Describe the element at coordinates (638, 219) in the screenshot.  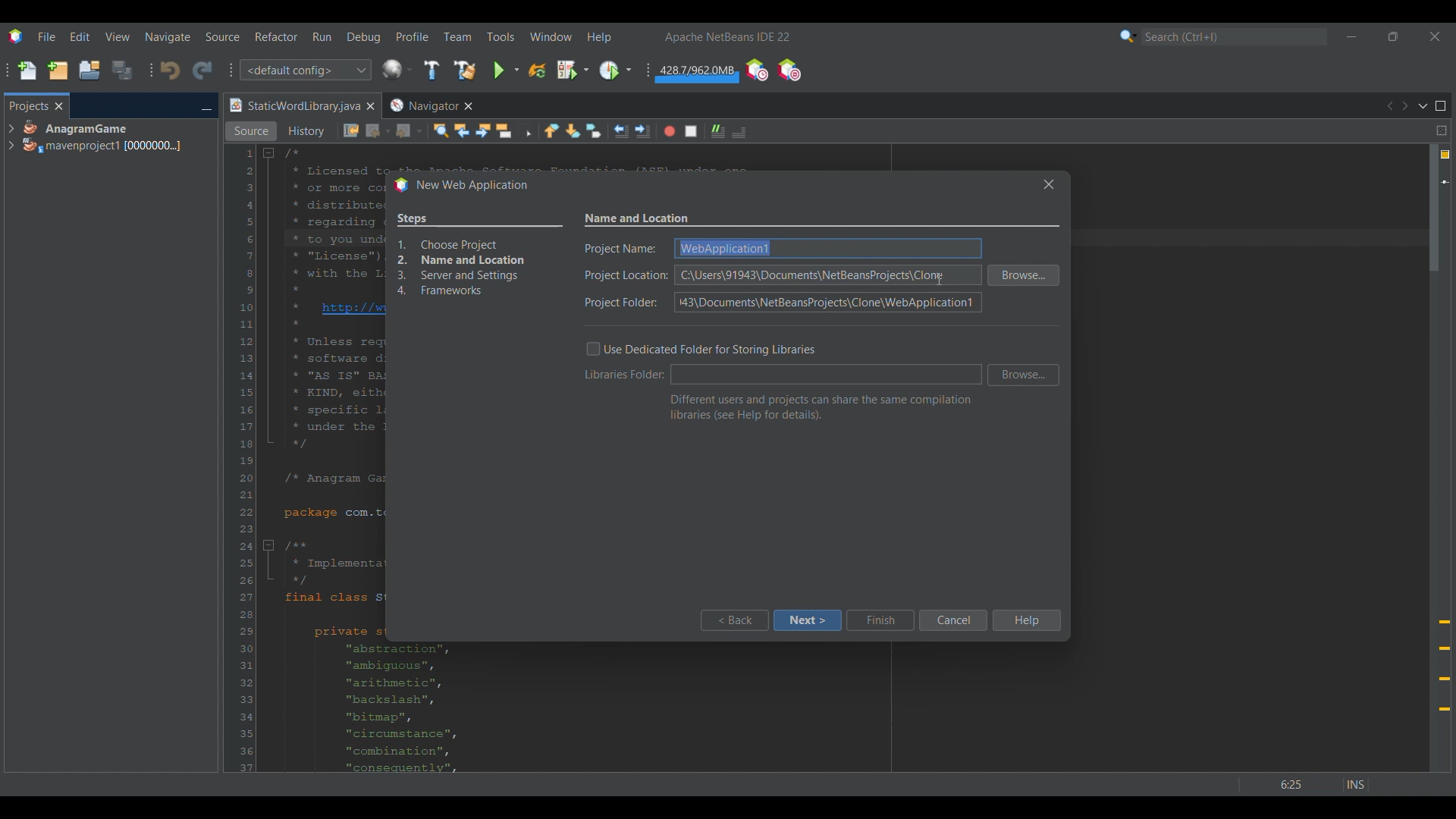
I see `Settings name` at that location.